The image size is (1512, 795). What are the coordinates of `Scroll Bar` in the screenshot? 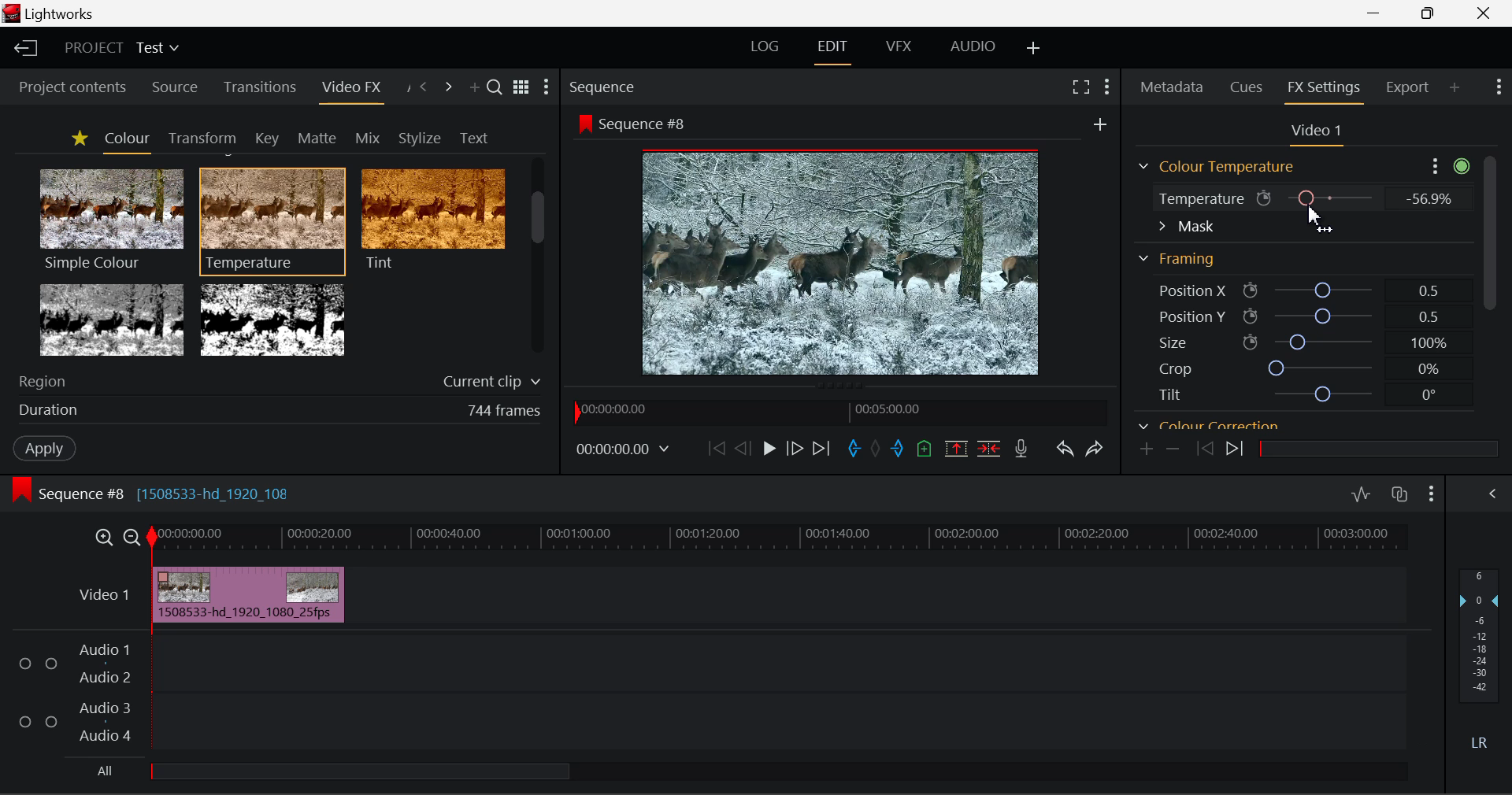 It's located at (1492, 275).